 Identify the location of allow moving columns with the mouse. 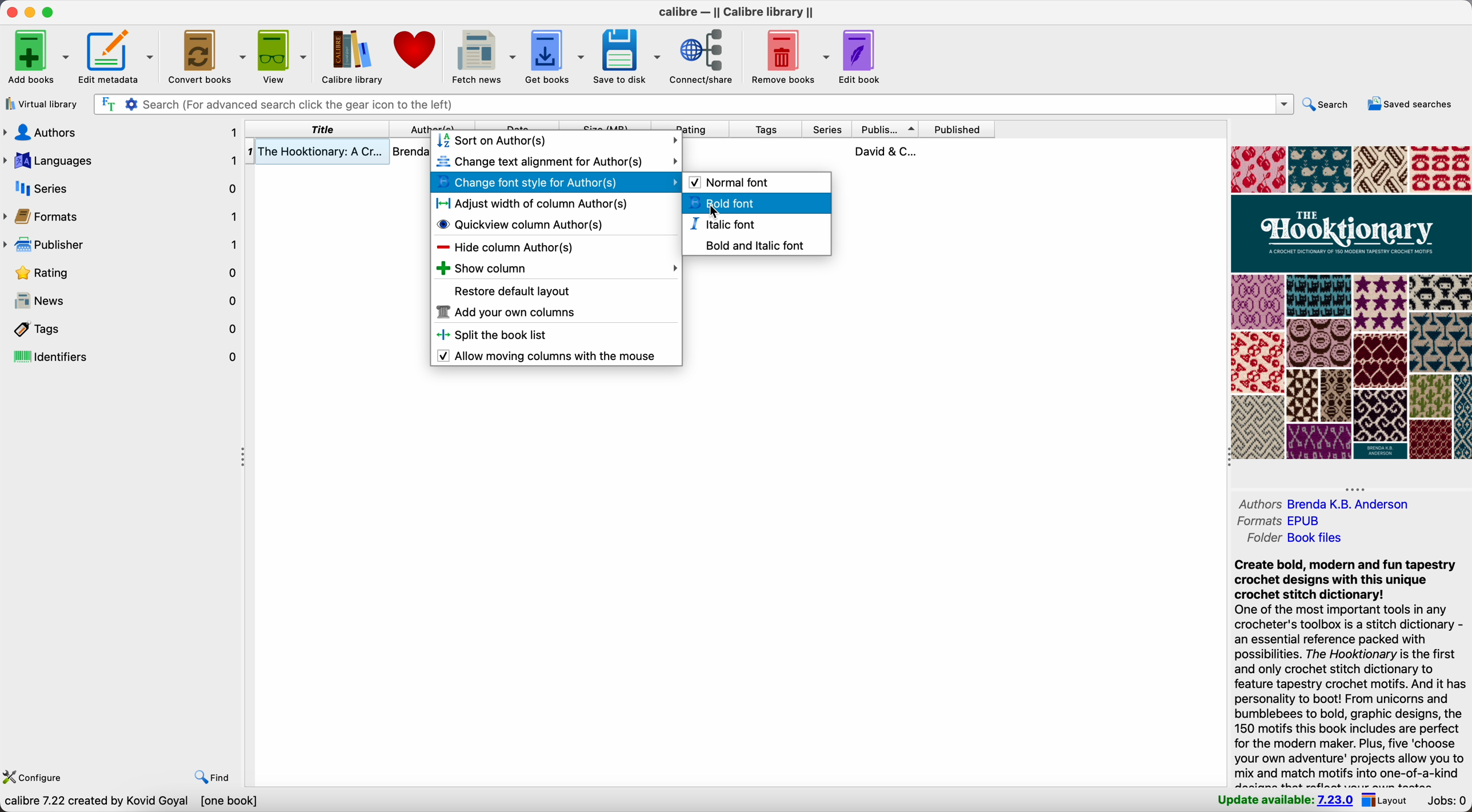
(550, 356).